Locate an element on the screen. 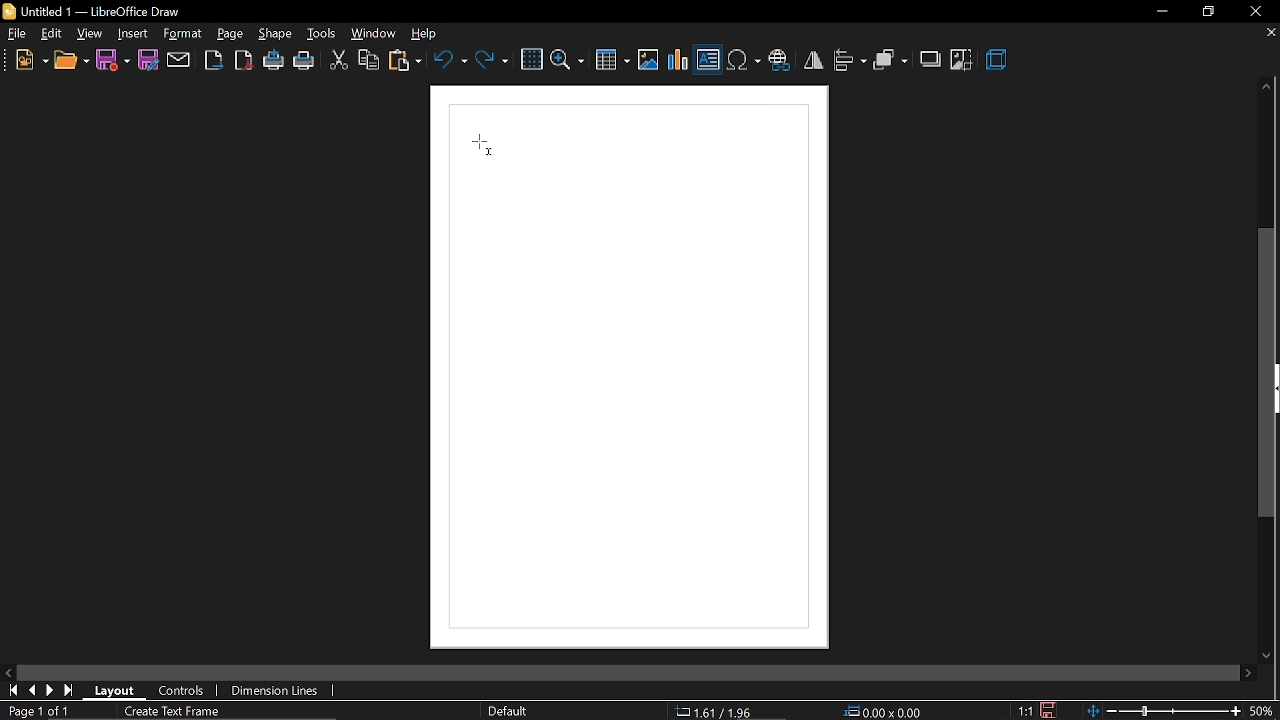  redo is located at coordinates (492, 59).